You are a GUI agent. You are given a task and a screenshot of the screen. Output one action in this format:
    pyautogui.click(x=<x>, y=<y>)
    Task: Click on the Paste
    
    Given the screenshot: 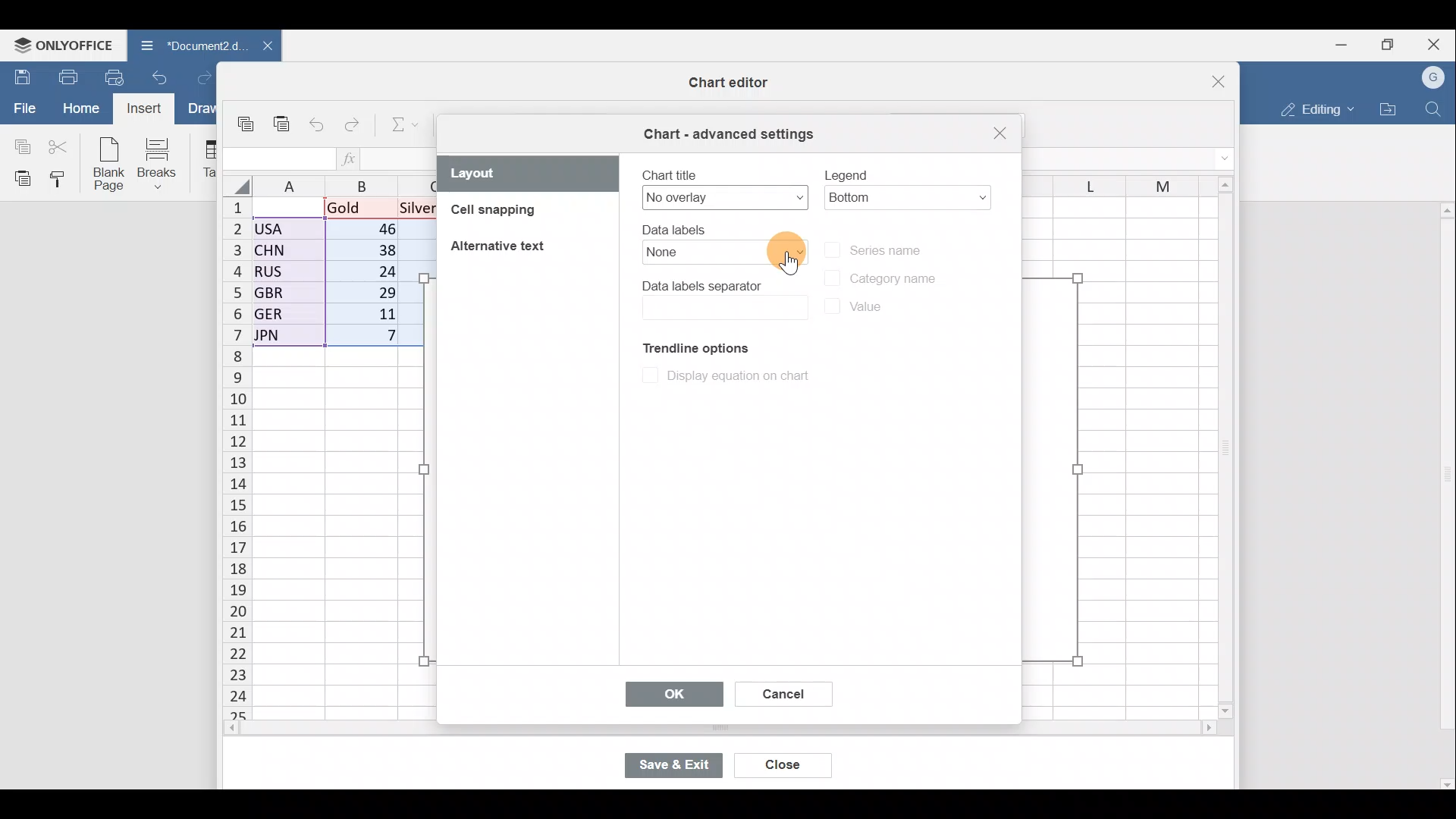 What is the action you would take?
    pyautogui.click(x=283, y=129)
    